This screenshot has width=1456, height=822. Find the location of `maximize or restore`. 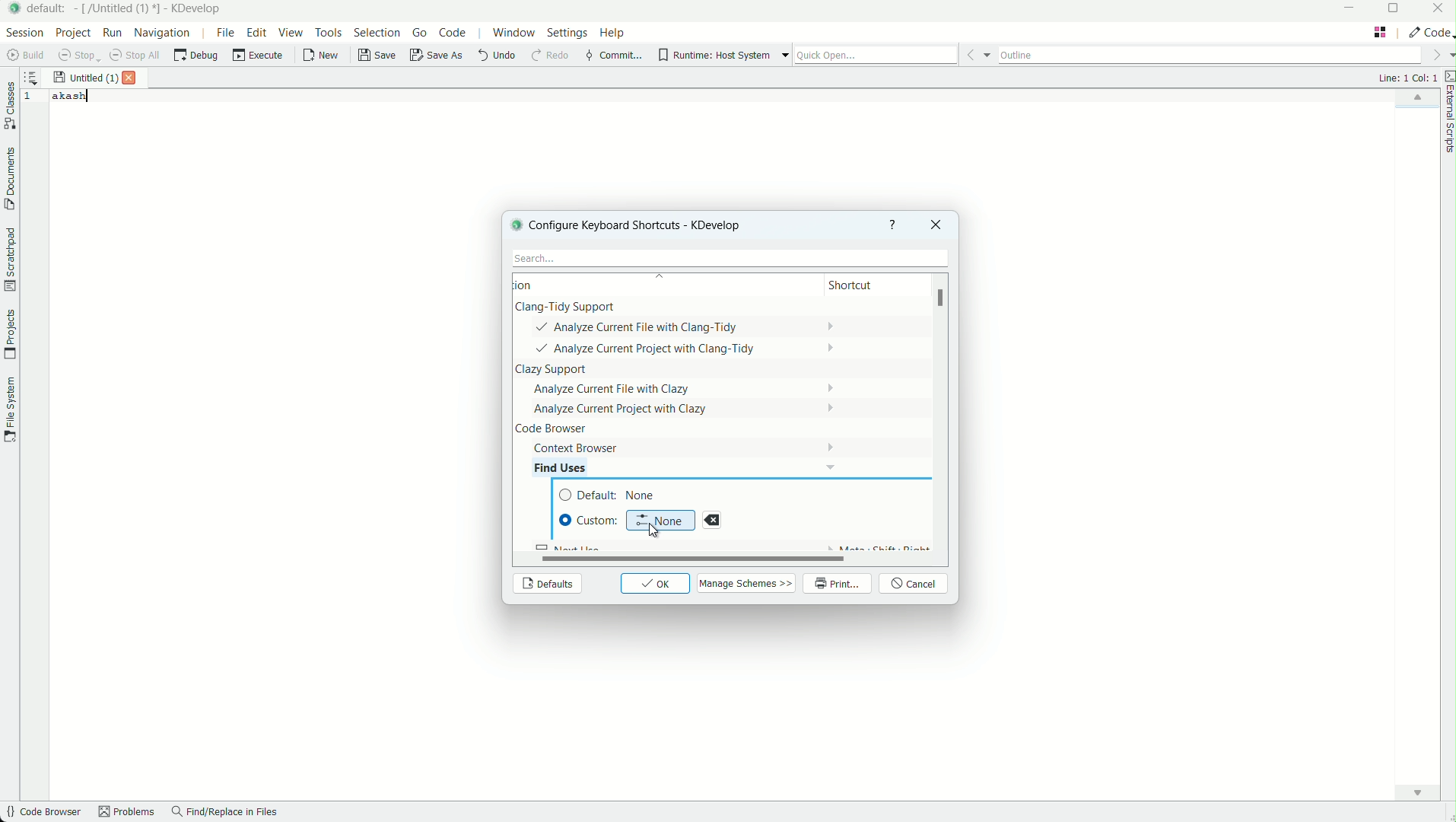

maximize or restore is located at coordinates (1397, 10).